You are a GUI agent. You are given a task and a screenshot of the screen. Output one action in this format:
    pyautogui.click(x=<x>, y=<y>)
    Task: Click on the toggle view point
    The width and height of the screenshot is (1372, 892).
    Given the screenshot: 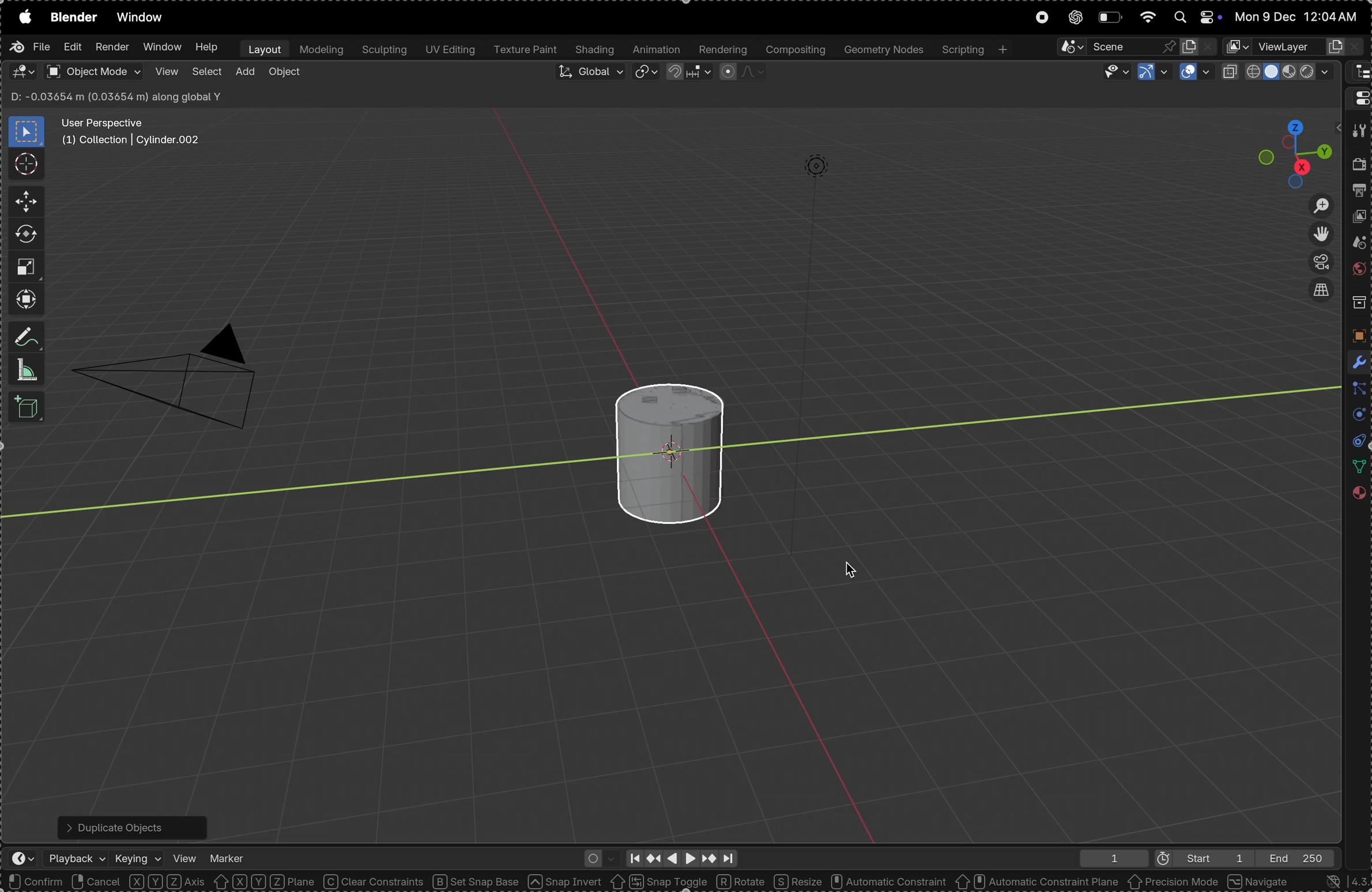 What is the action you would take?
    pyautogui.click(x=1318, y=235)
    